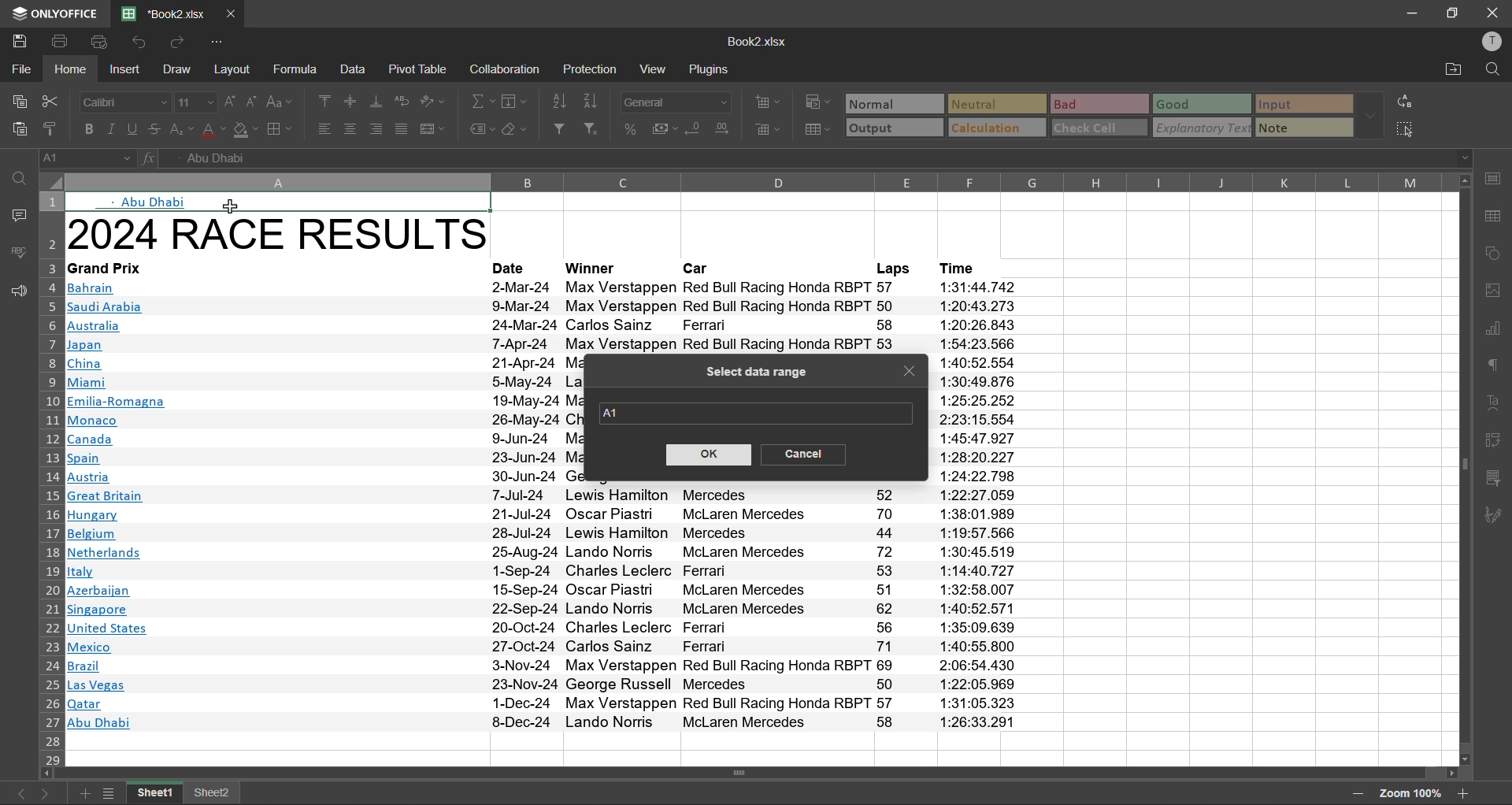 The image size is (1512, 805). Describe the element at coordinates (61, 41) in the screenshot. I see `print` at that location.